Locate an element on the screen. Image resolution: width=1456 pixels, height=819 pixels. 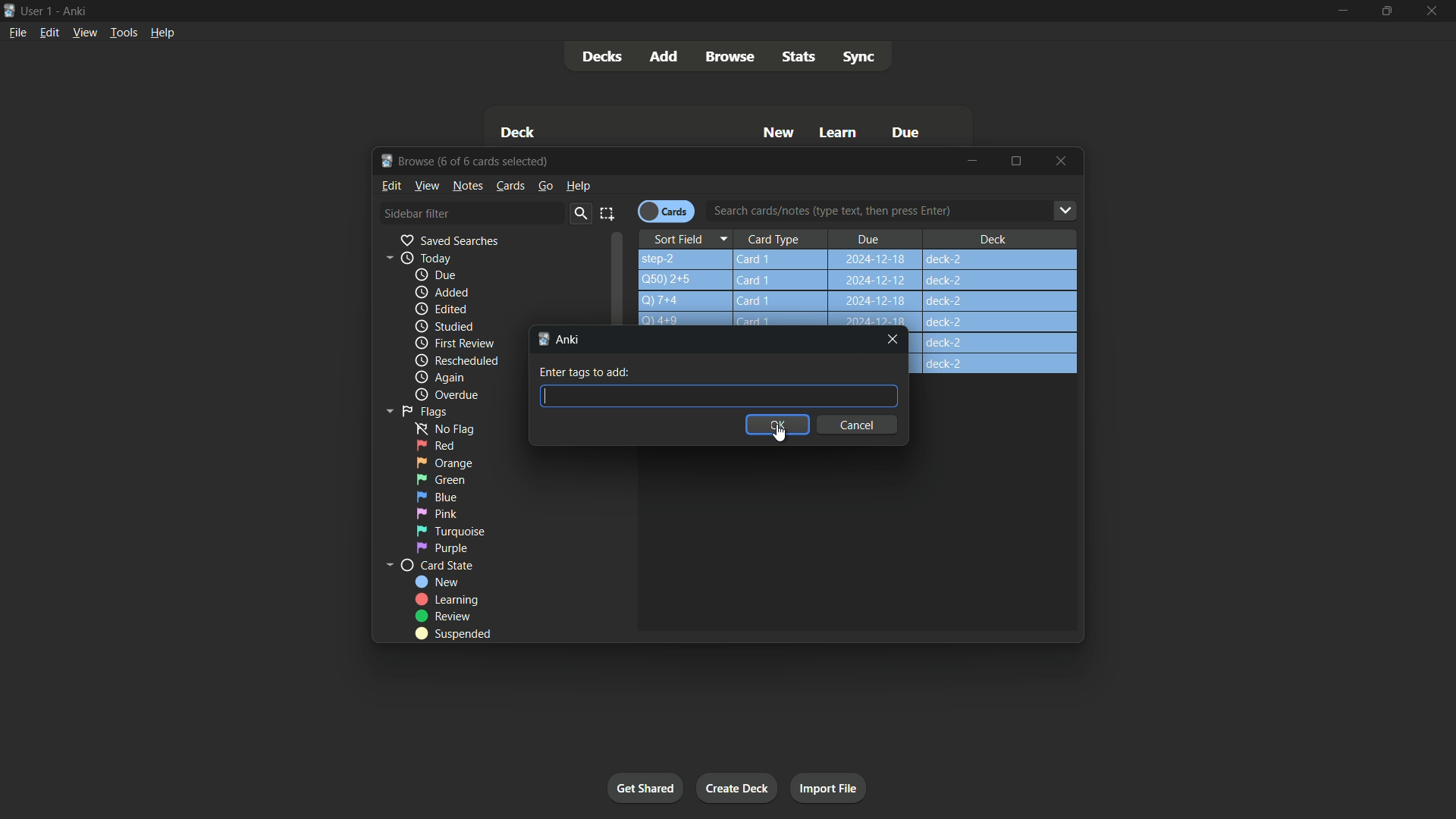
Cards is located at coordinates (510, 186).